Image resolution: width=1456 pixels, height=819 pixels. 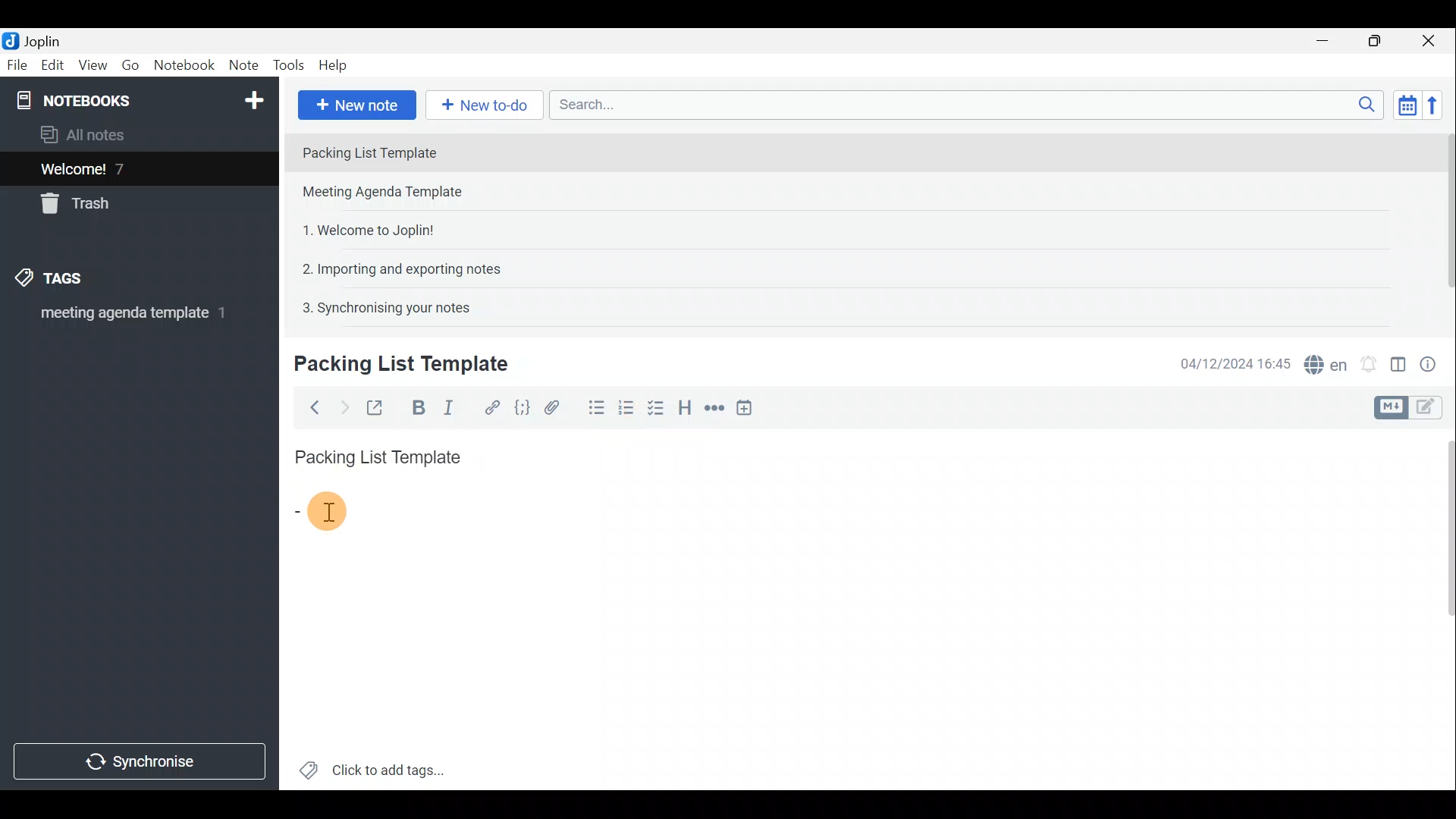 I want to click on Bulleted list, so click(x=593, y=410).